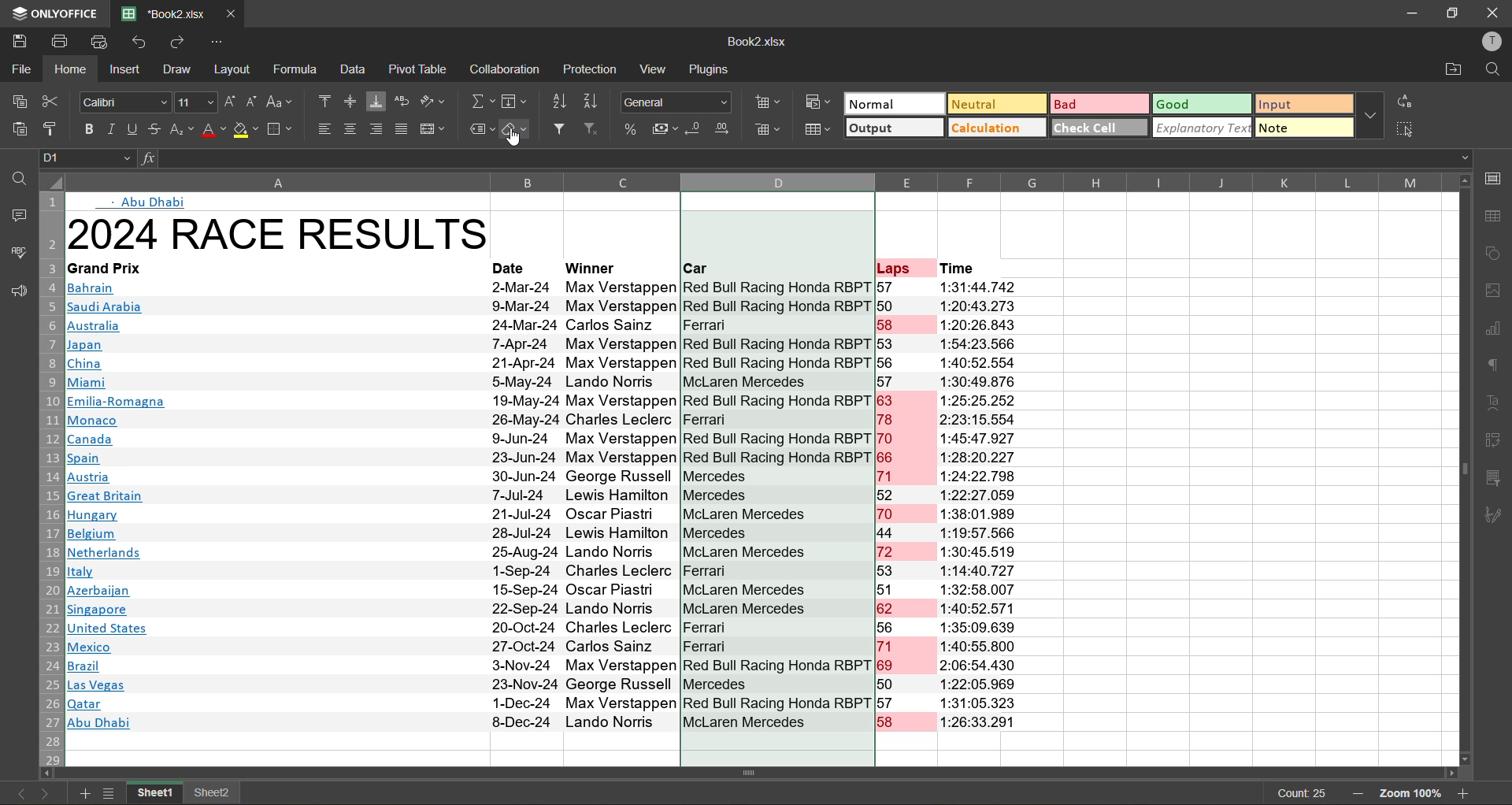 The image size is (1512, 805). What do you see at coordinates (350, 102) in the screenshot?
I see `align middle` at bounding box center [350, 102].